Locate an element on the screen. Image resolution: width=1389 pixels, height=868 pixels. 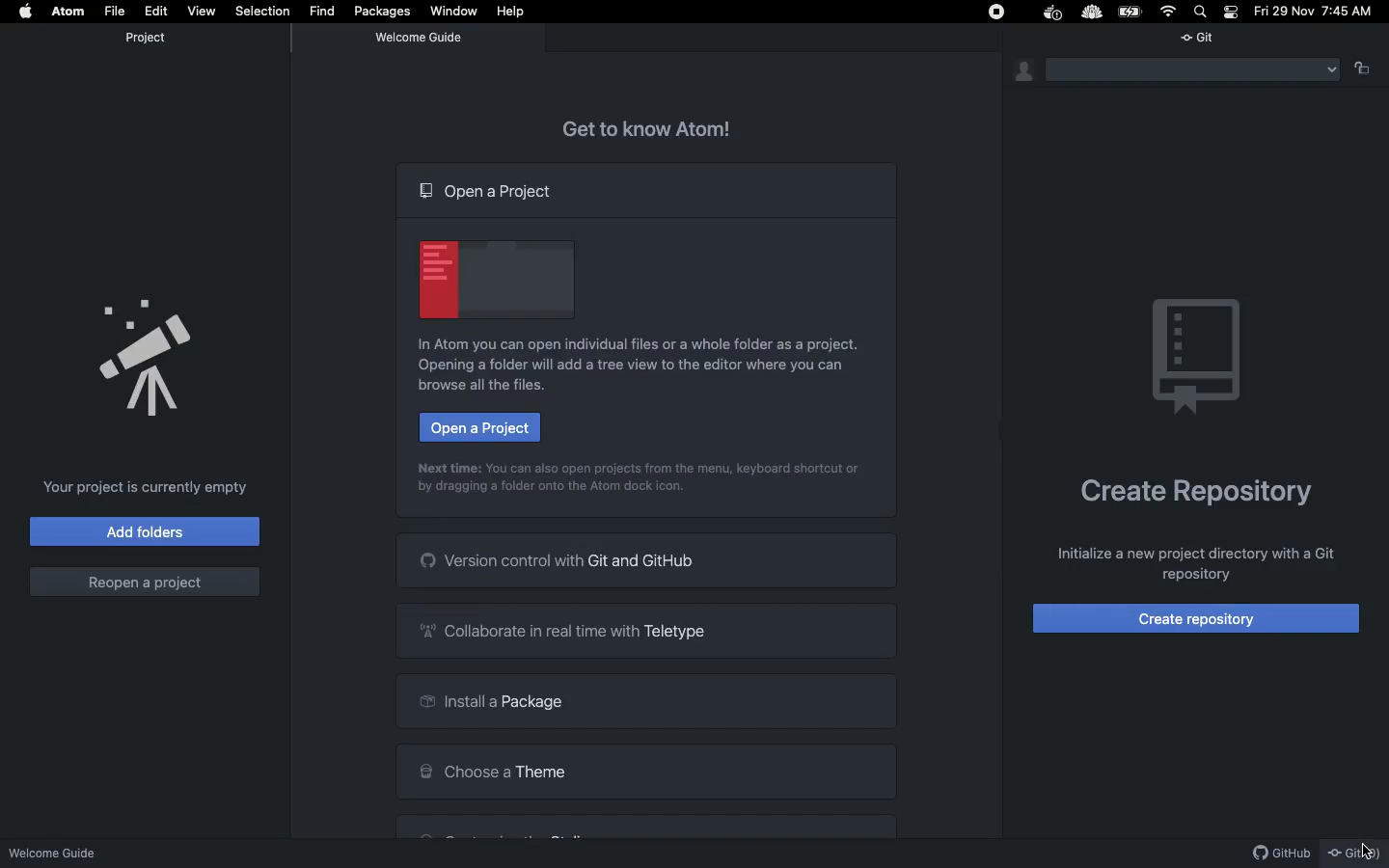
Find is located at coordinates (323, 11).